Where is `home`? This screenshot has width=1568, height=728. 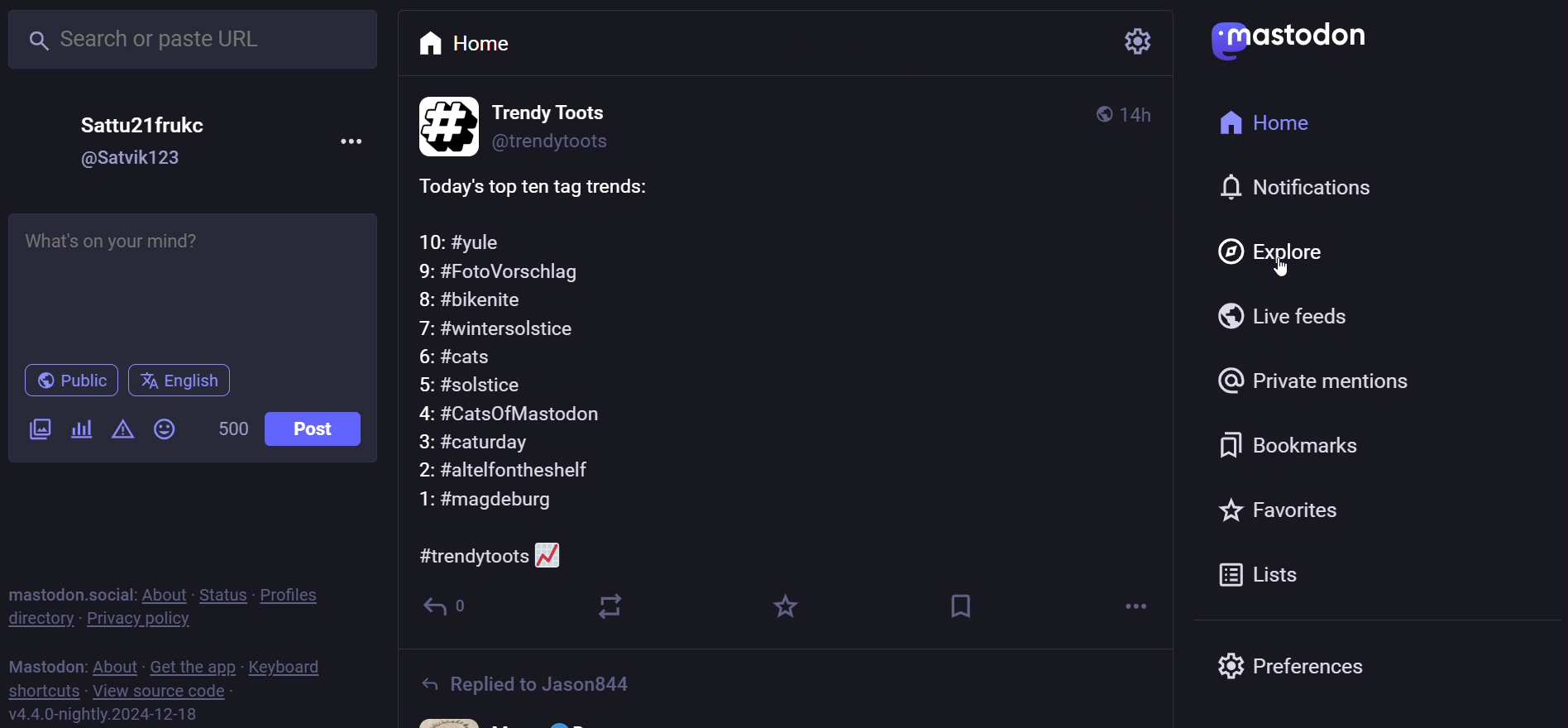 home is located at coordinates (1265, 122).